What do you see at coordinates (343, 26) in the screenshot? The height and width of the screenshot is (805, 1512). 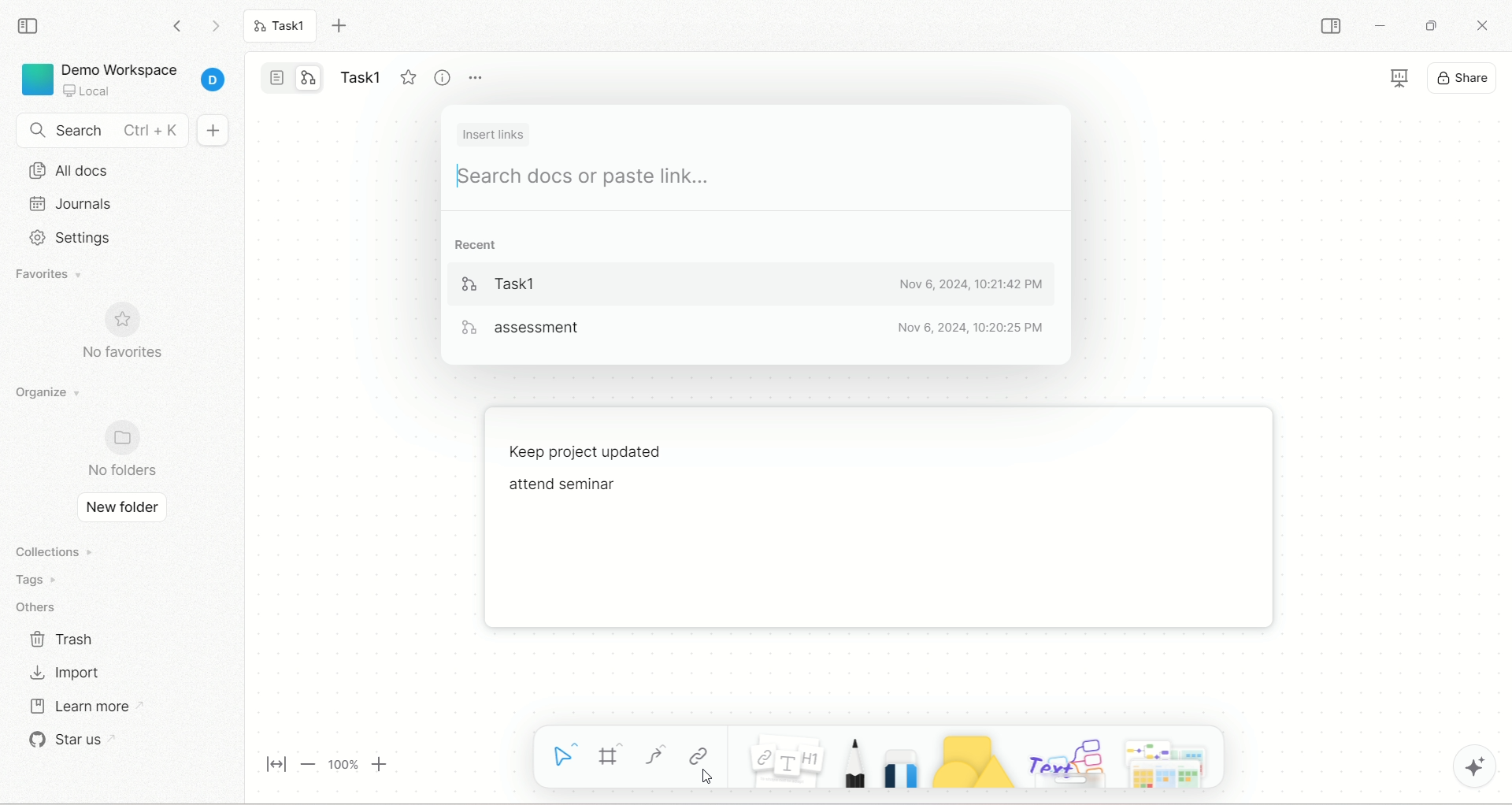 I see `new tab` at bounding box center [343, 26].